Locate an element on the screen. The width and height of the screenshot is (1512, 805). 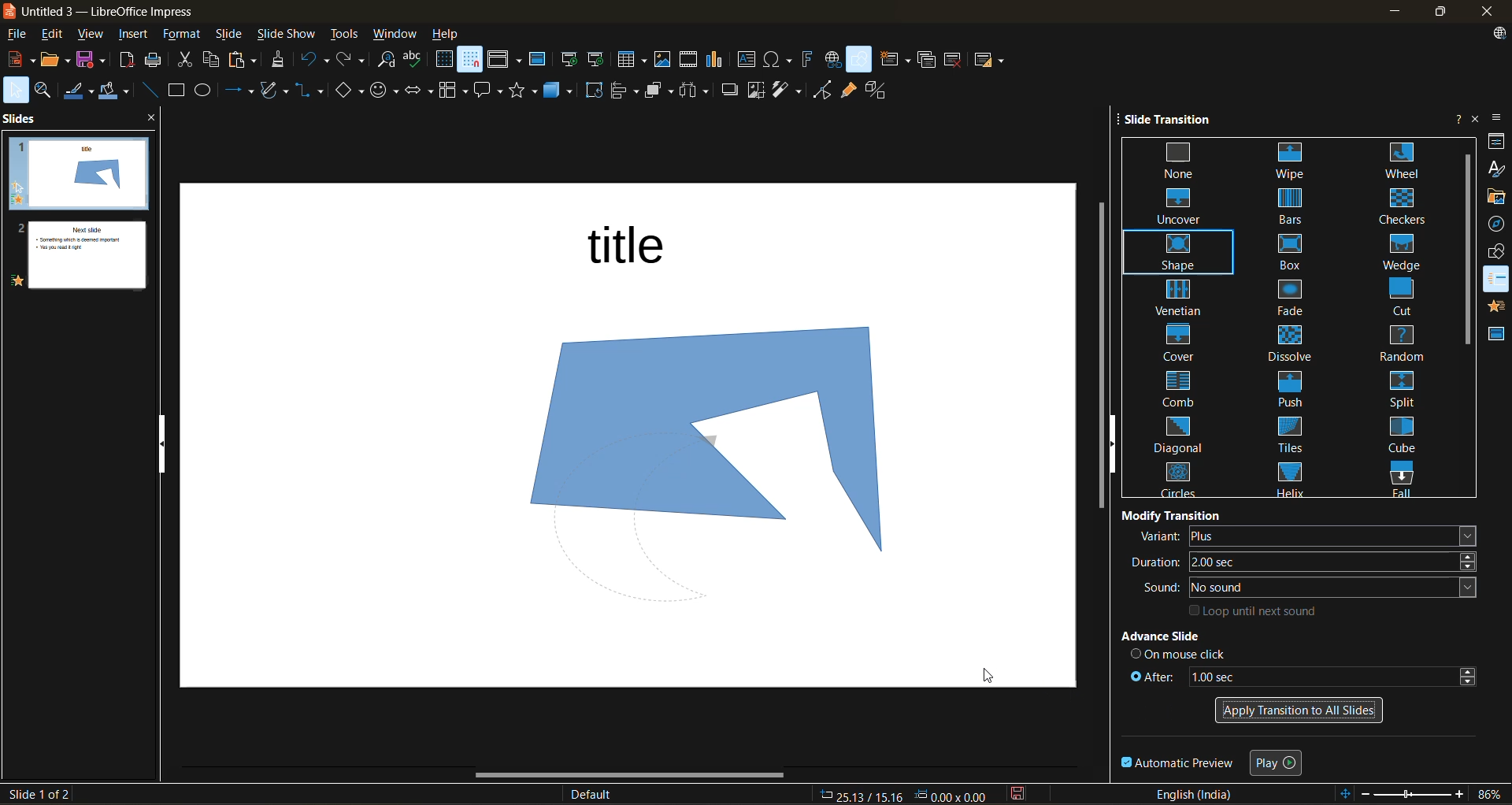
duration is located at coordinates (1307, 562).